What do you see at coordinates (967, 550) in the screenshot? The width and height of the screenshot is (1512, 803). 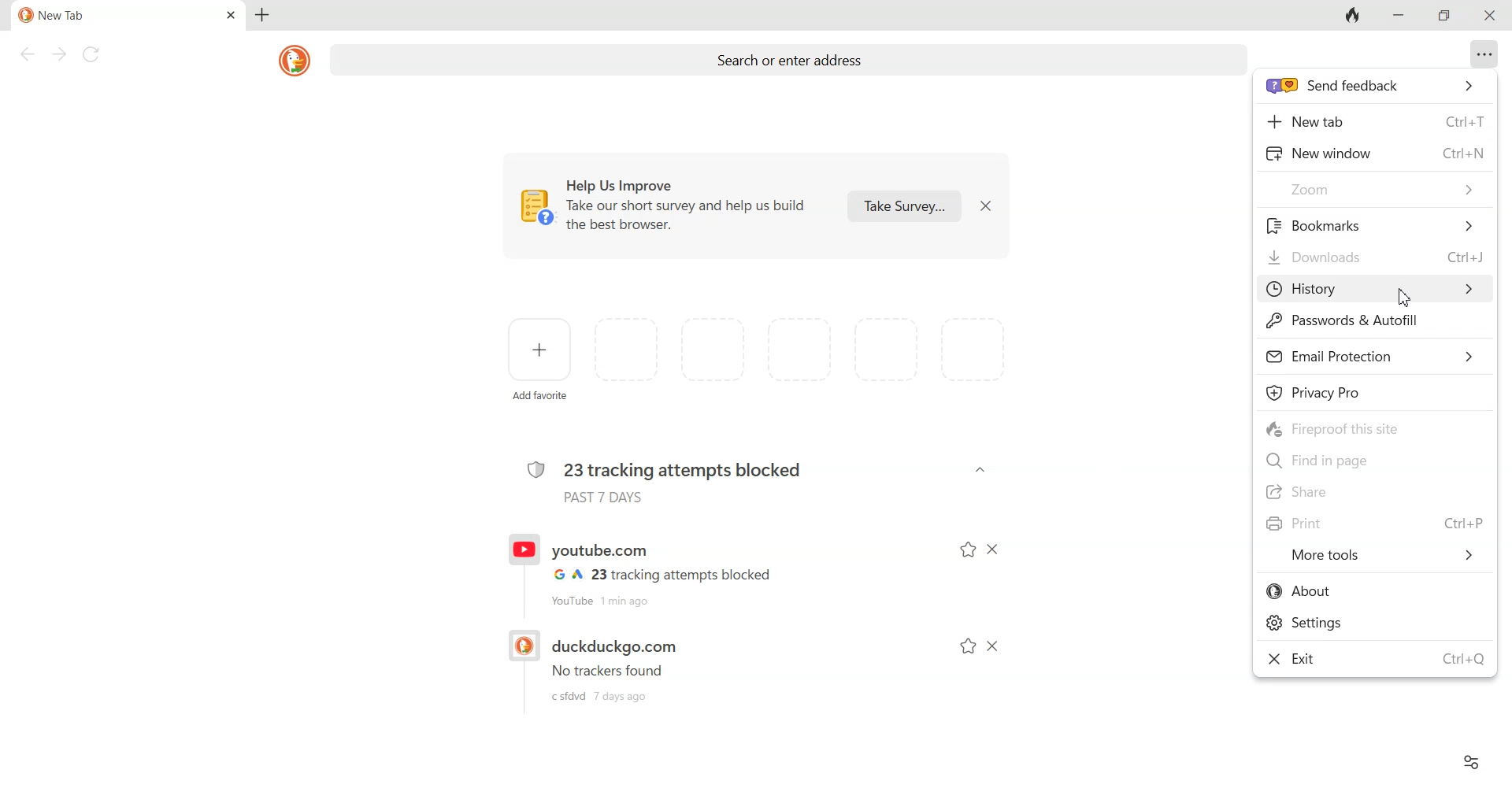 I see `Add to favorite` at bounding box center [967, 550].